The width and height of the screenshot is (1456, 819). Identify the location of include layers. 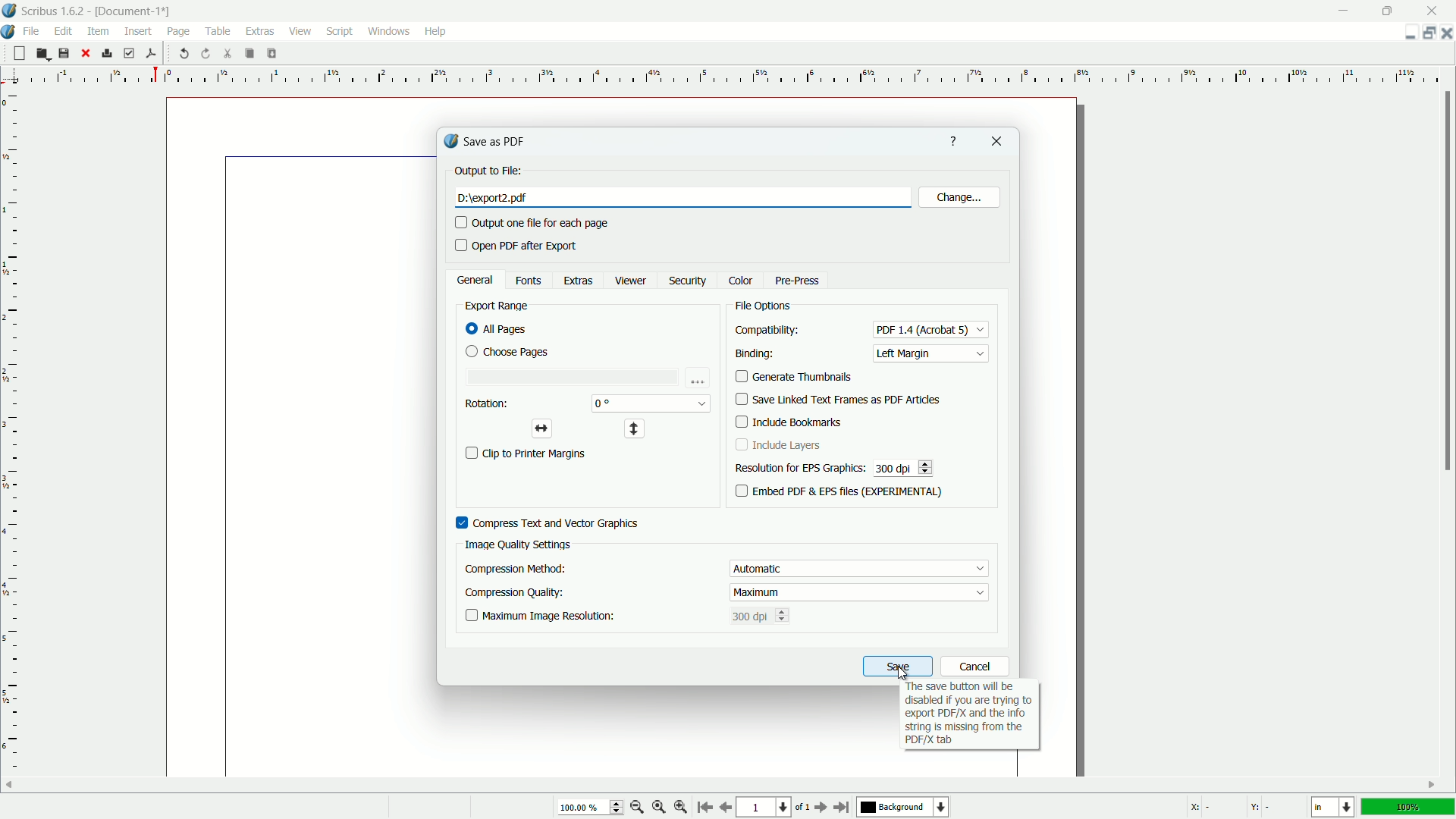
(780, 444).